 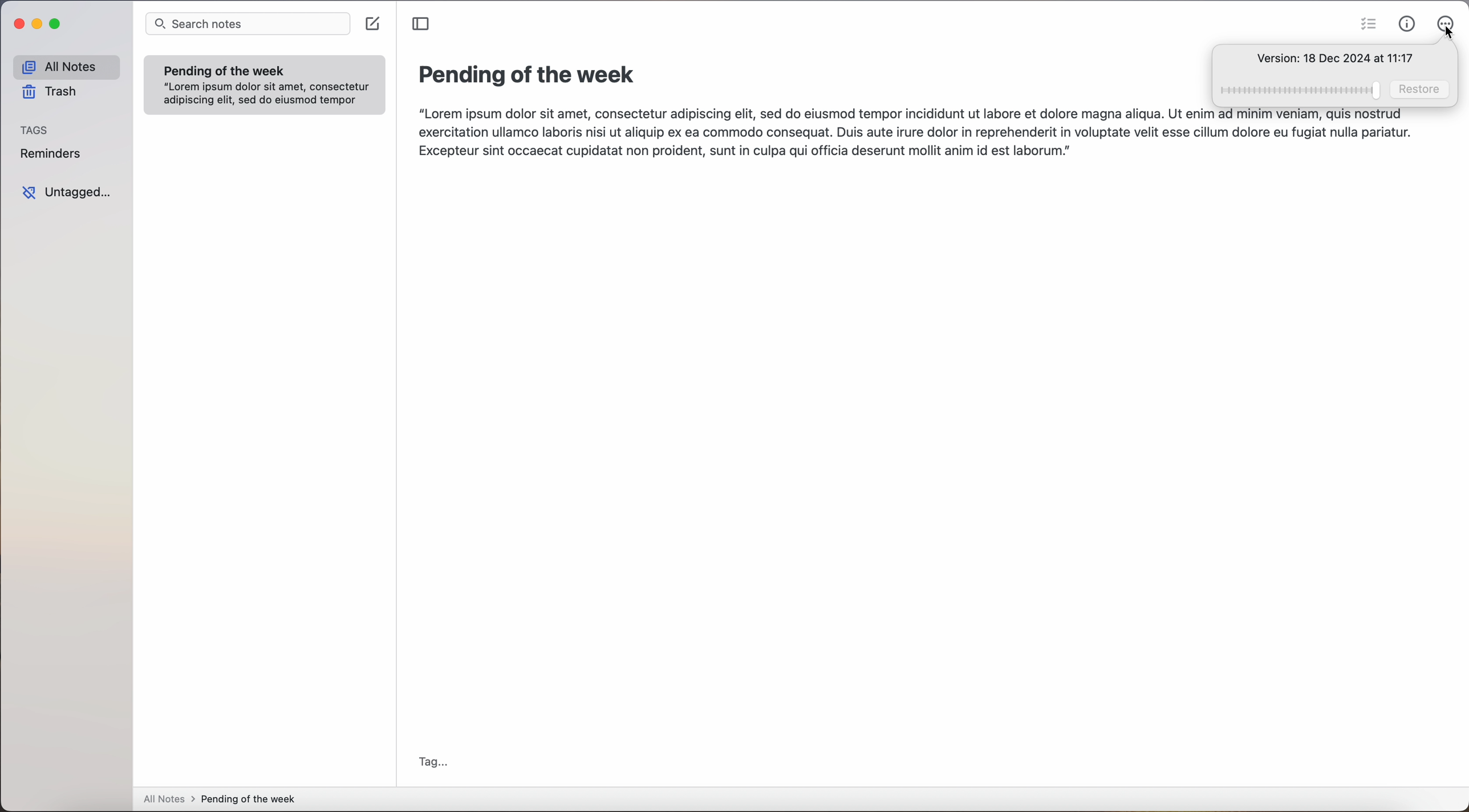 I want to click on title: Pending of the week, so click(x=529, y=76).